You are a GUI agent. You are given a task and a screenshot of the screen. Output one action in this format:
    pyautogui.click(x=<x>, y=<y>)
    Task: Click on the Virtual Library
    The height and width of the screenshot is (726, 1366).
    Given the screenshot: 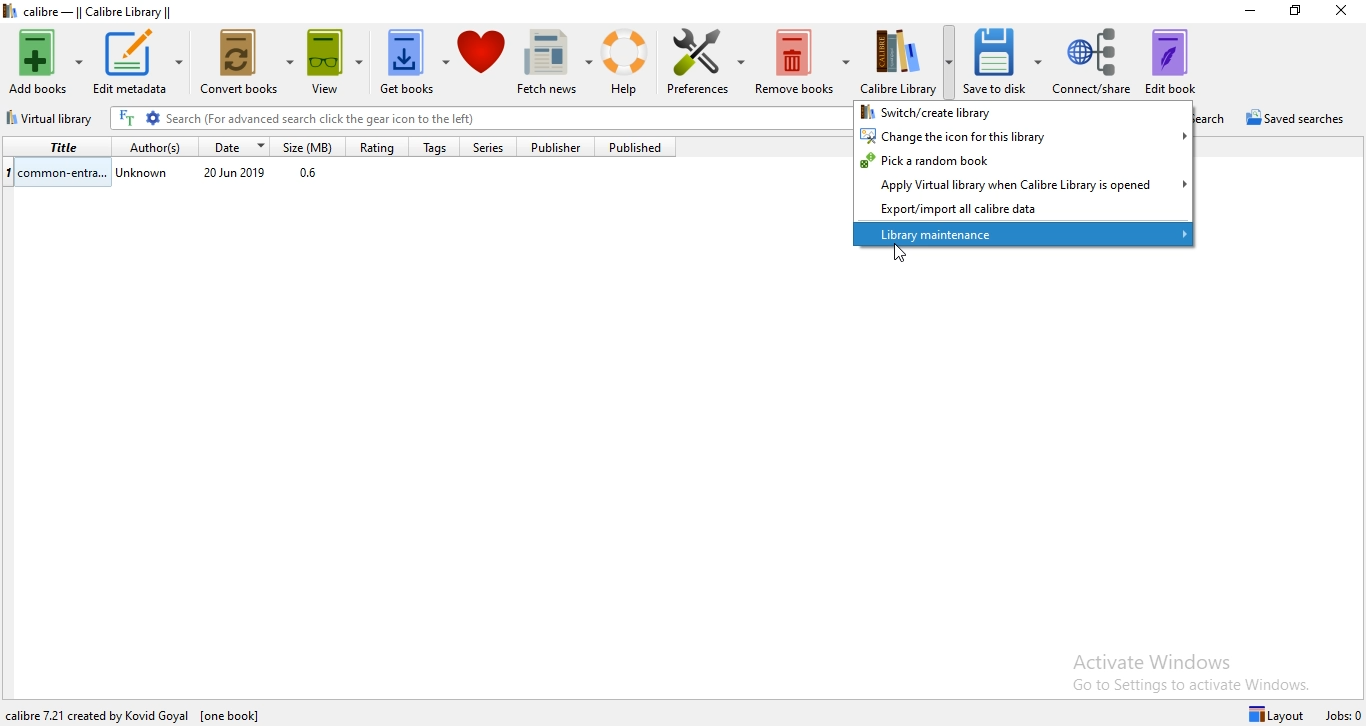 What is the action you would take?
    pyautogui.click(x=53, y=120)
    